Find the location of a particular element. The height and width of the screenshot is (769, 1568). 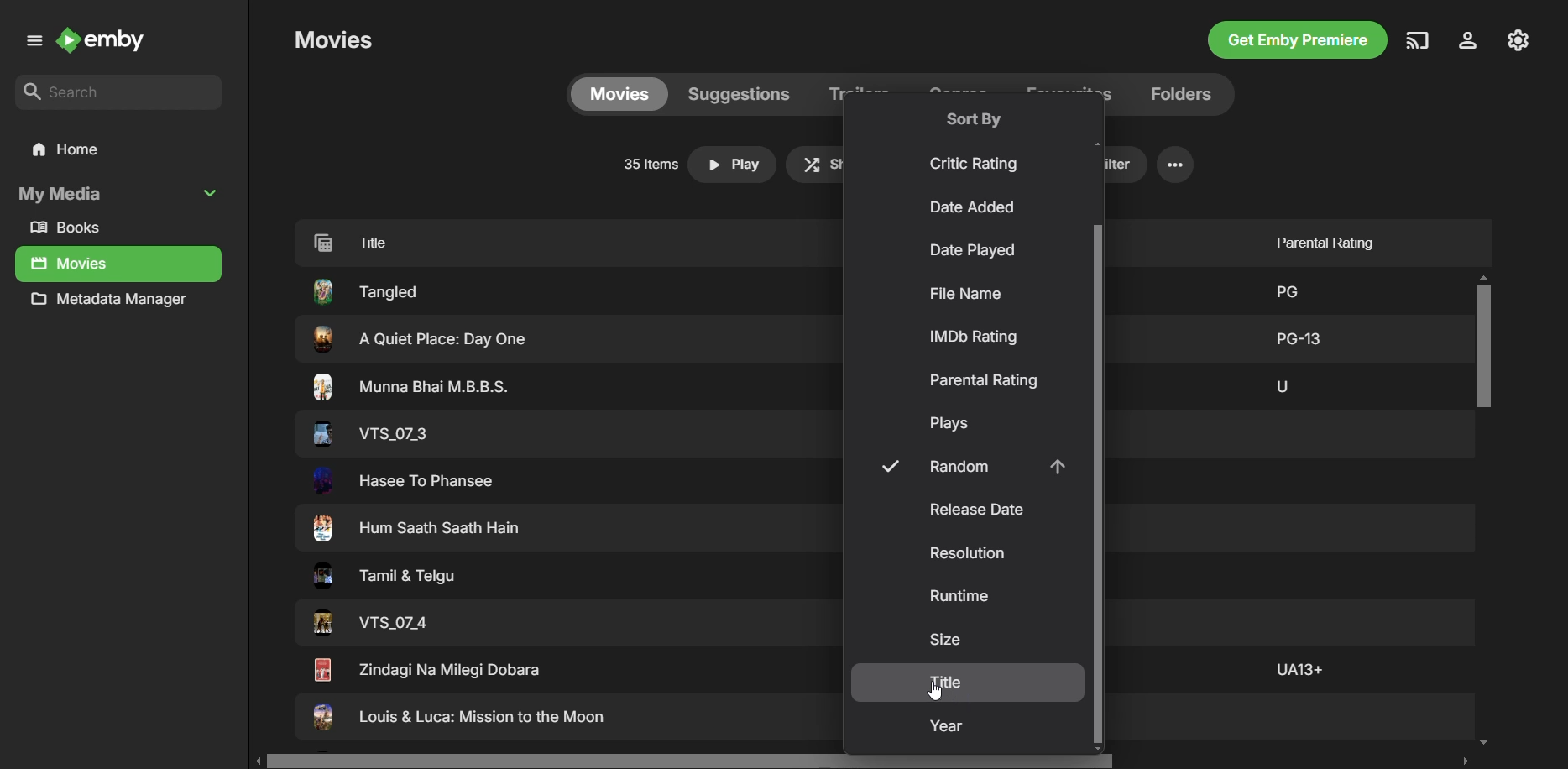

cursor is located at coordinates (940, 690).